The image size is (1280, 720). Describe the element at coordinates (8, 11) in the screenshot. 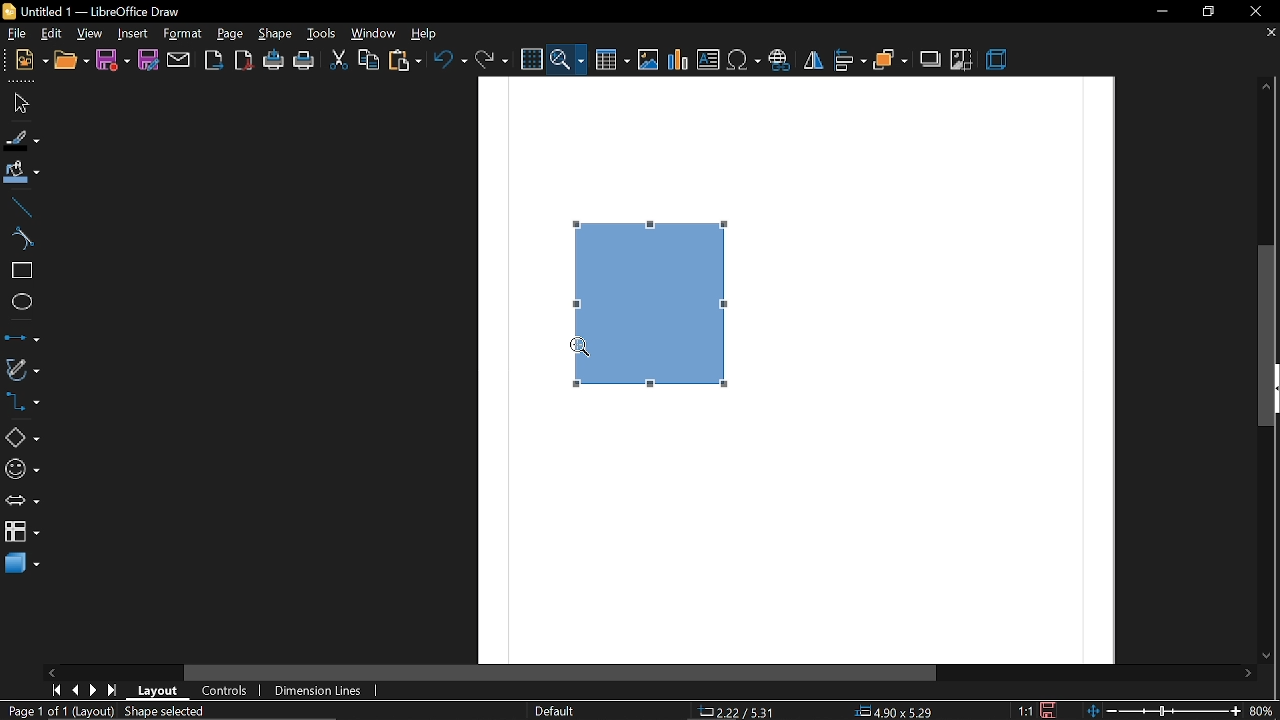

I see `libreoffice draw logo` at that location.